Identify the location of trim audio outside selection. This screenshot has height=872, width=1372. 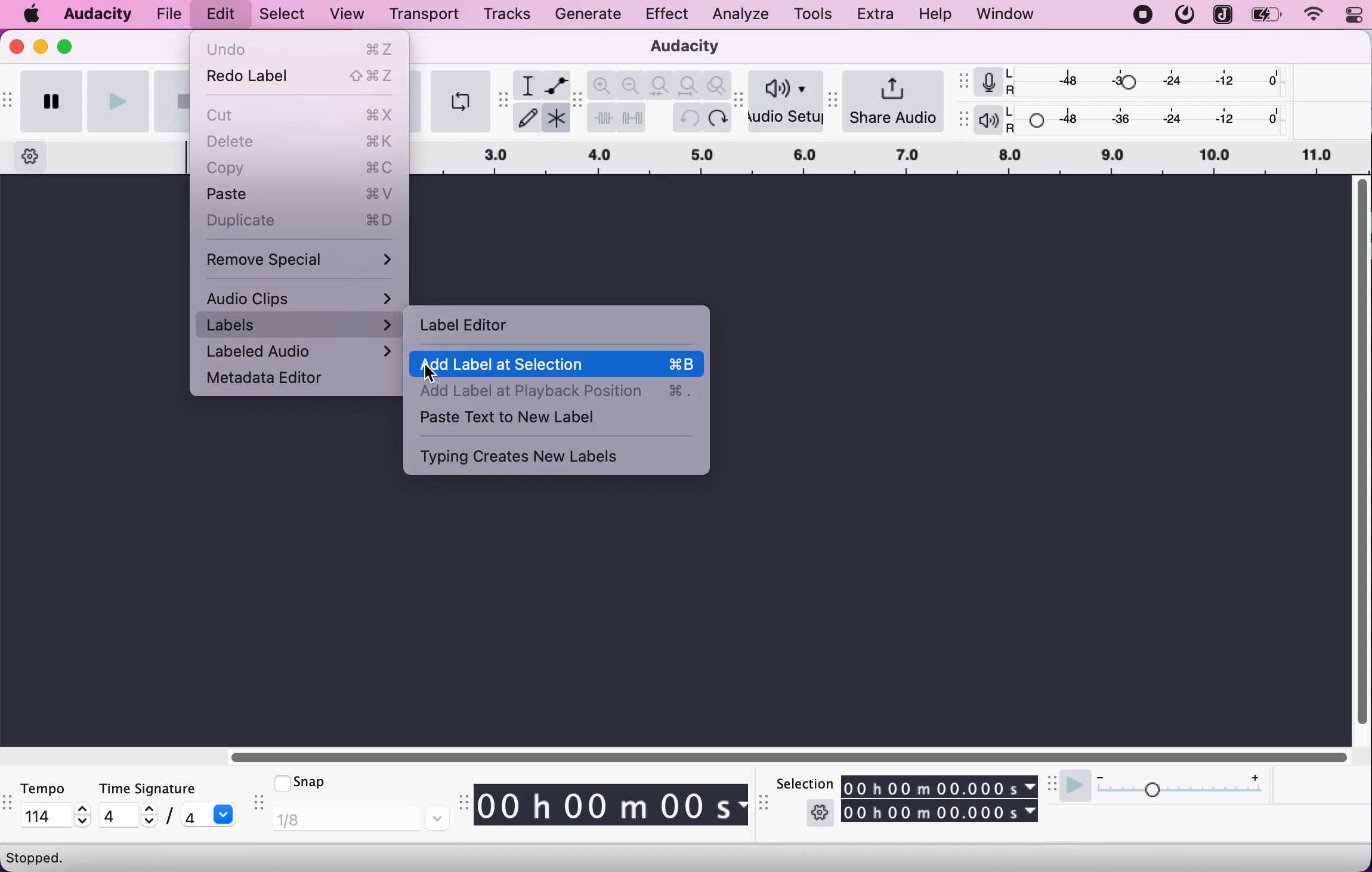
(602, 117).